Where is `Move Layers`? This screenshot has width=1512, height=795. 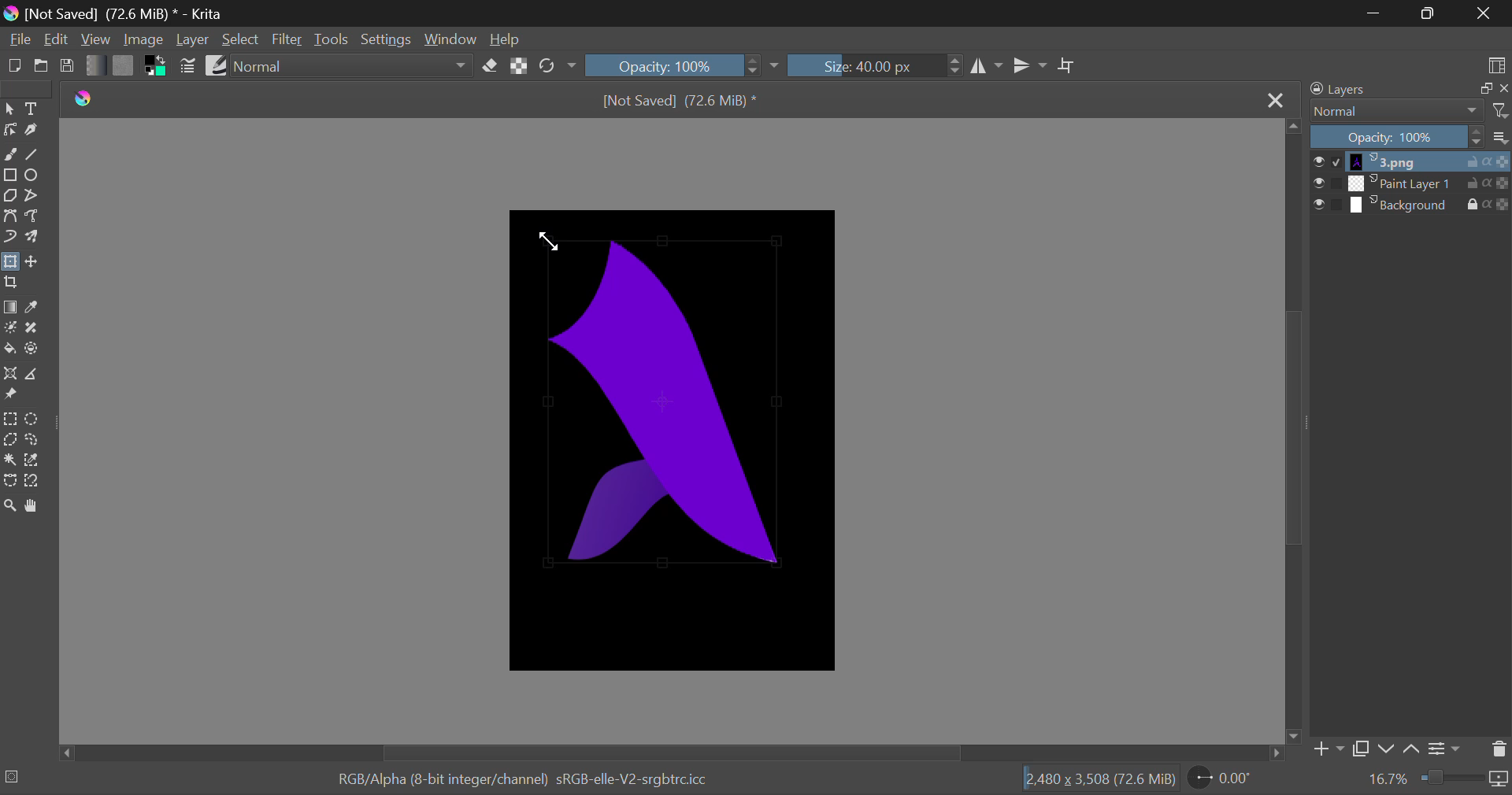 Move Layers is located at coordinates (34, 263).